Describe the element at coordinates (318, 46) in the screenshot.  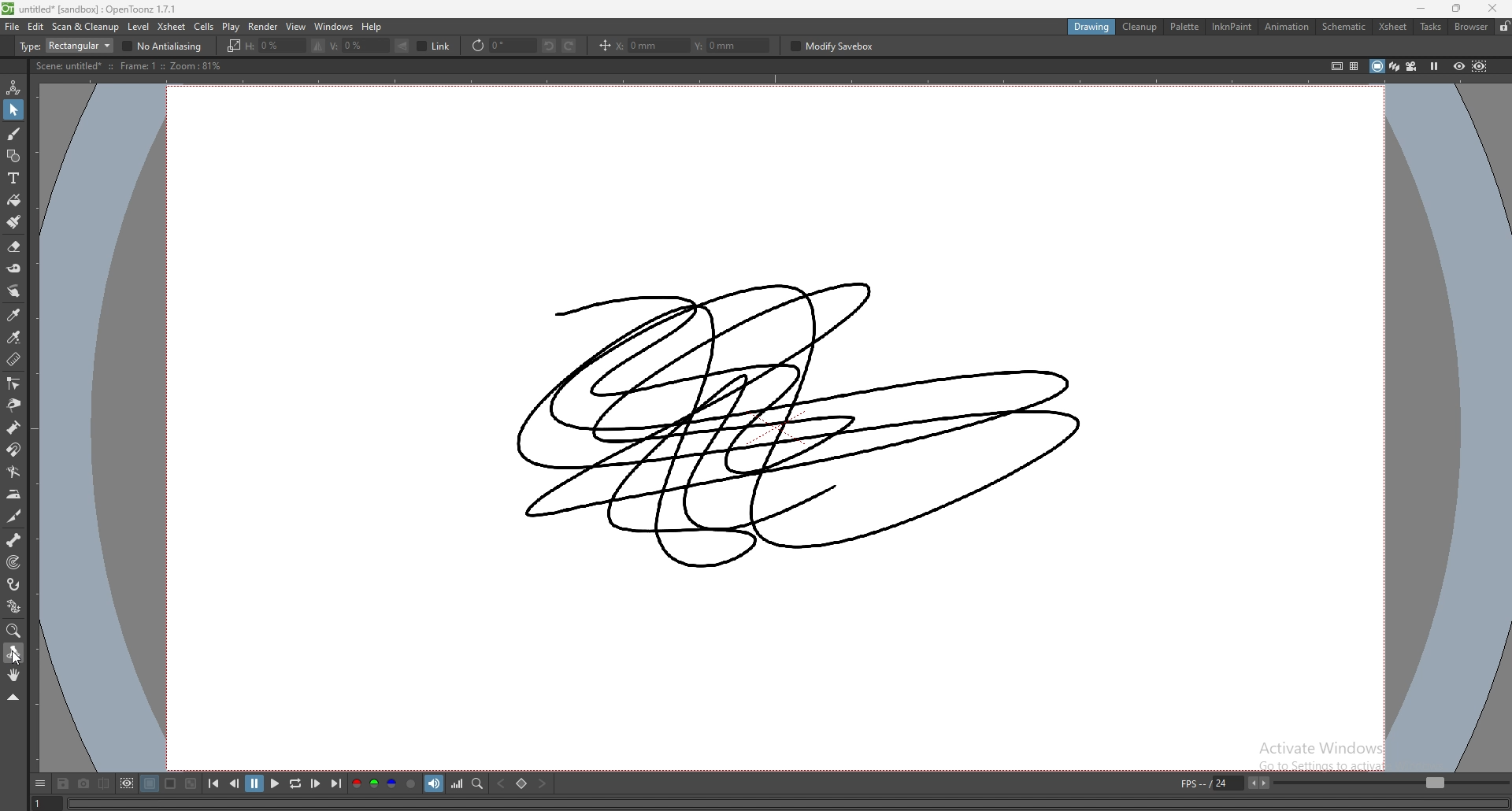
I see `flip selection horizontally` at that location.